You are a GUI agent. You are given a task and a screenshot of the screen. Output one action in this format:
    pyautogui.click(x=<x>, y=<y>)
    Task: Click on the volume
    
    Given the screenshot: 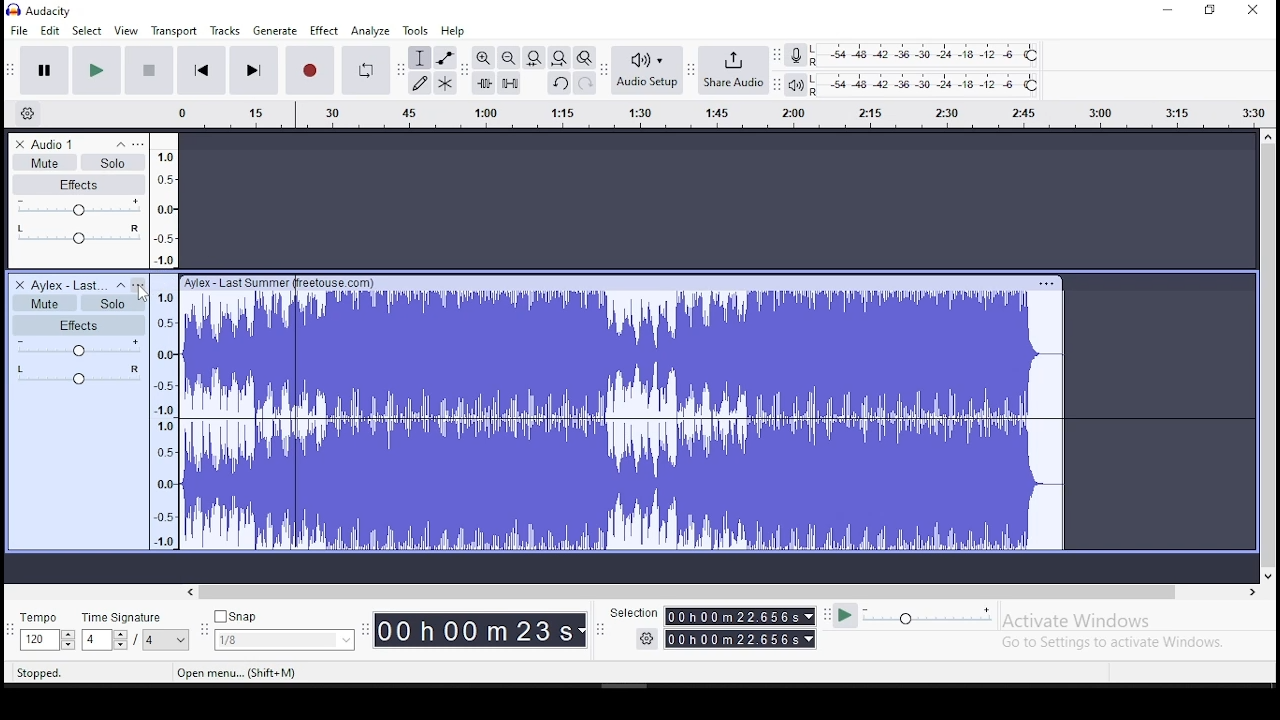 What is the action you would take?
    pyautogui.click(x=78, y=348)
    